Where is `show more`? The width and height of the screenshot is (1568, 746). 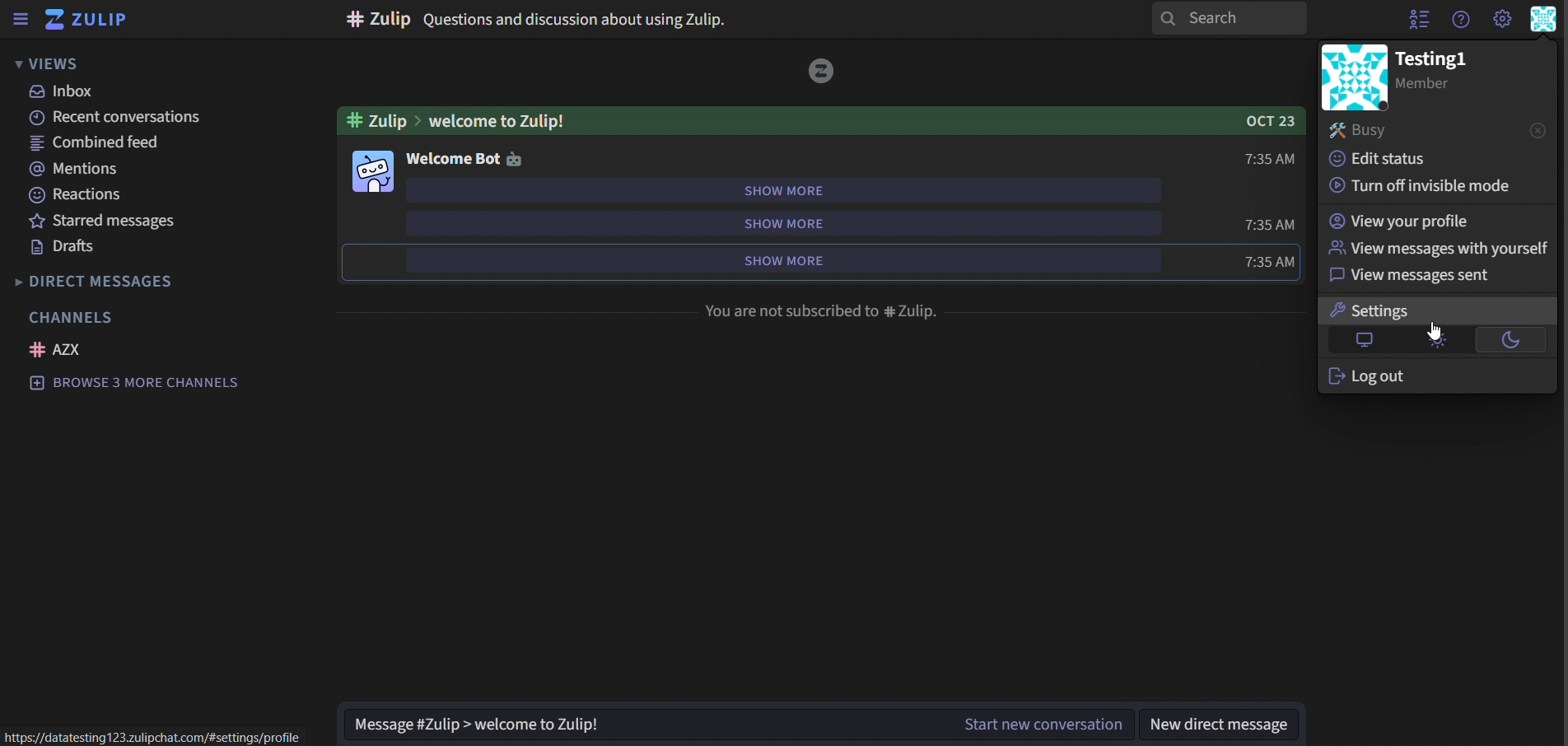 show more is located at coordinates (776, 263).